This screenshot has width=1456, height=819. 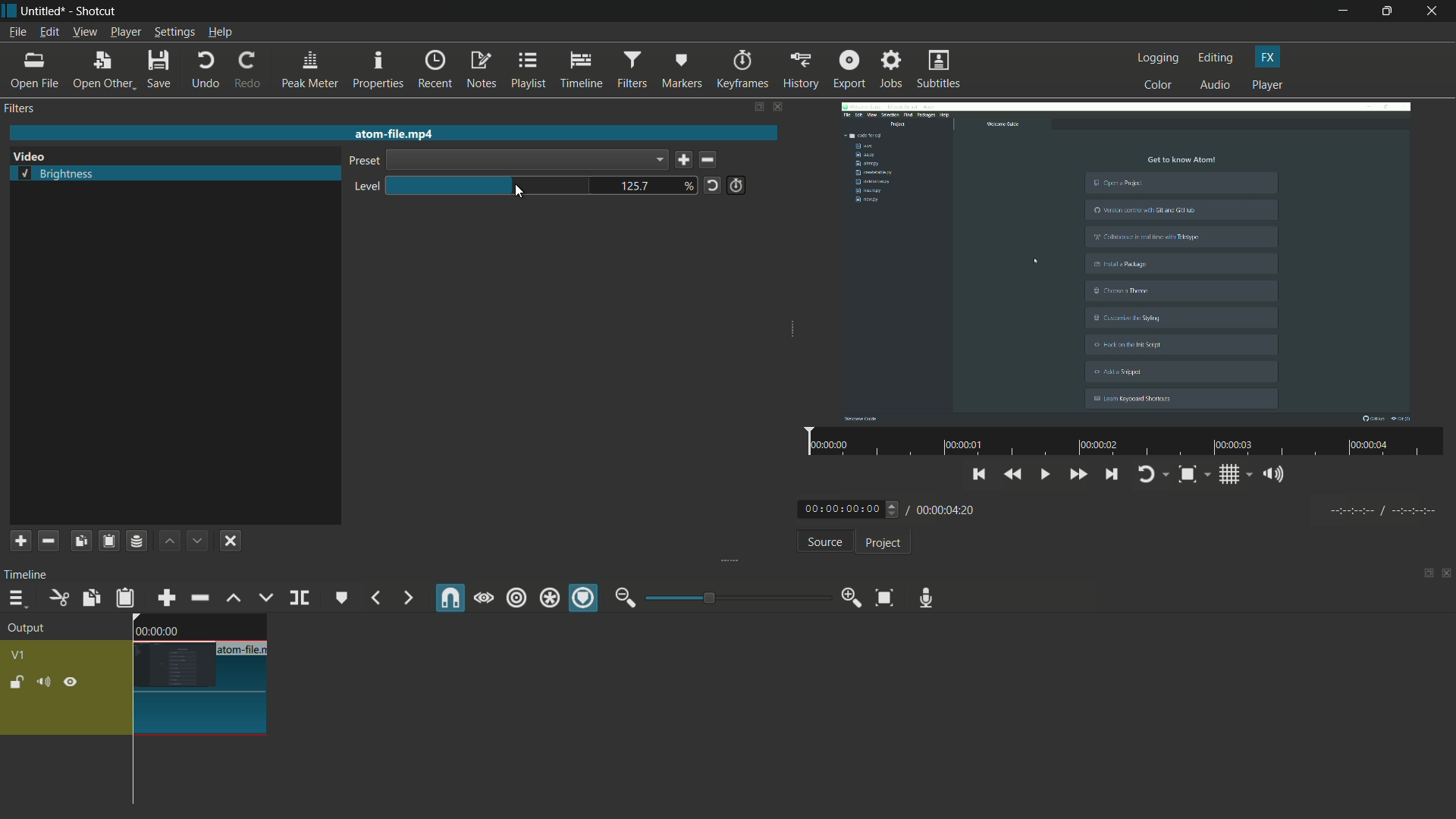 What do you see at coordinates (233, 598) in the screenshot?
I see `lift` at bounding box center [233, 598].